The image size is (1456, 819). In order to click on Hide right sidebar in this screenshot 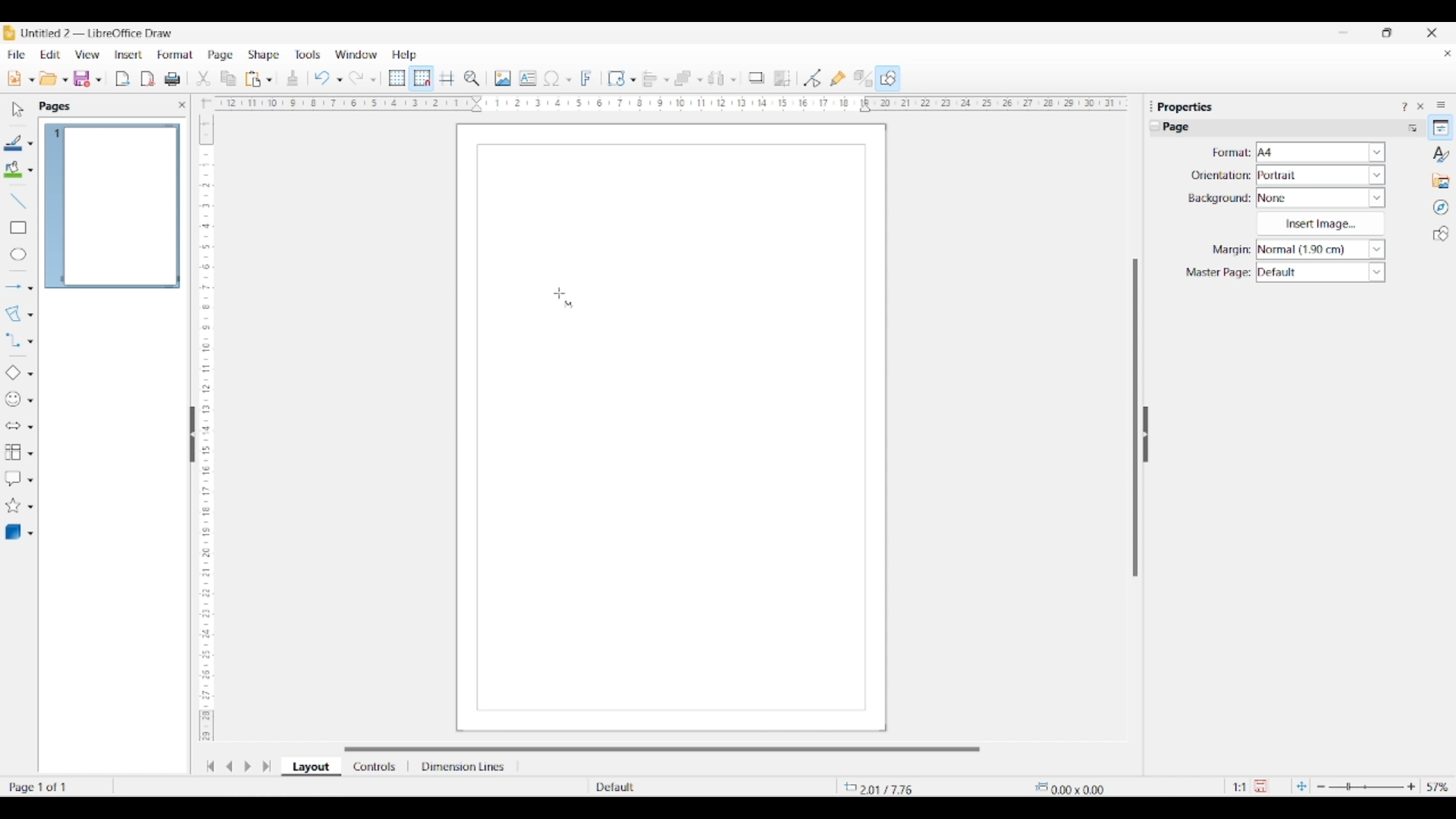, I will do `click(1145, 435)`.